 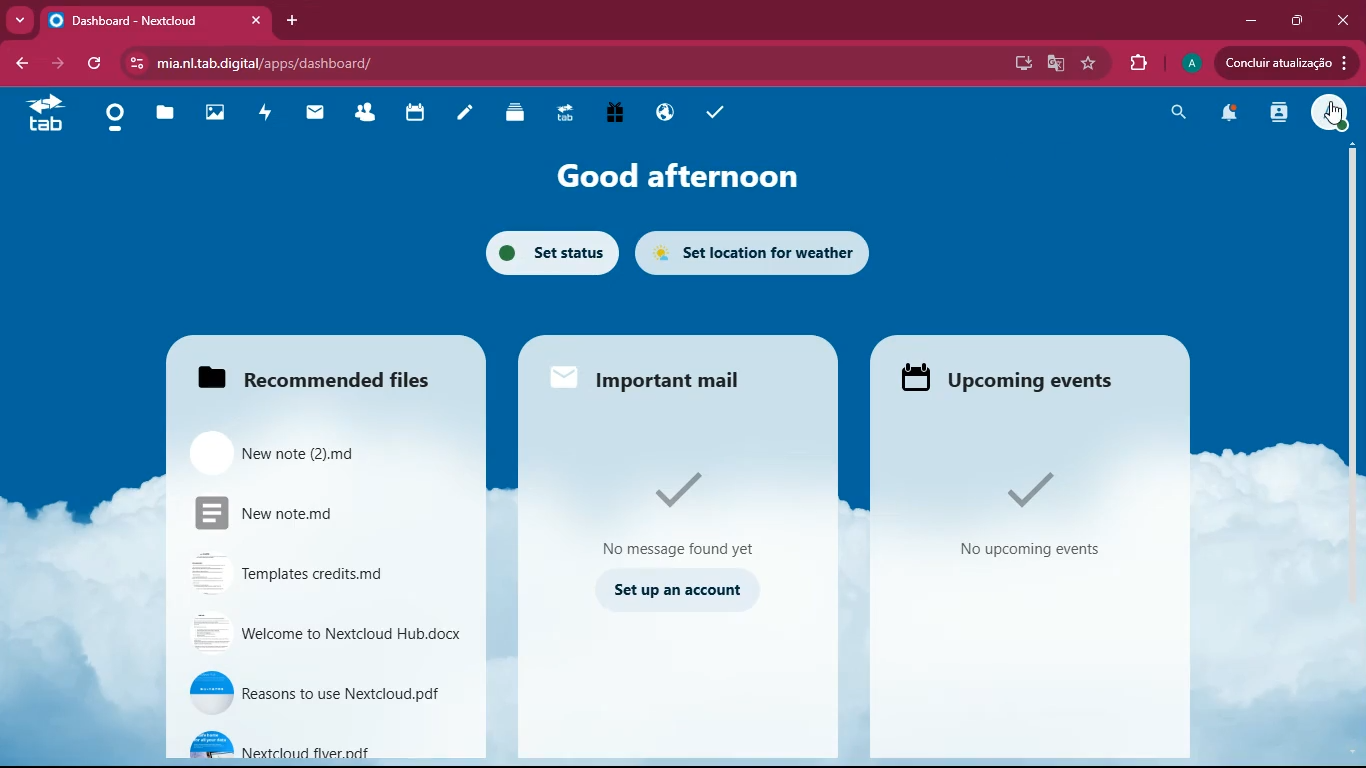 What do you see at coordinates (1227, 115) in the screenshot?
I see `notifications` at bounding box center [1227, 115].